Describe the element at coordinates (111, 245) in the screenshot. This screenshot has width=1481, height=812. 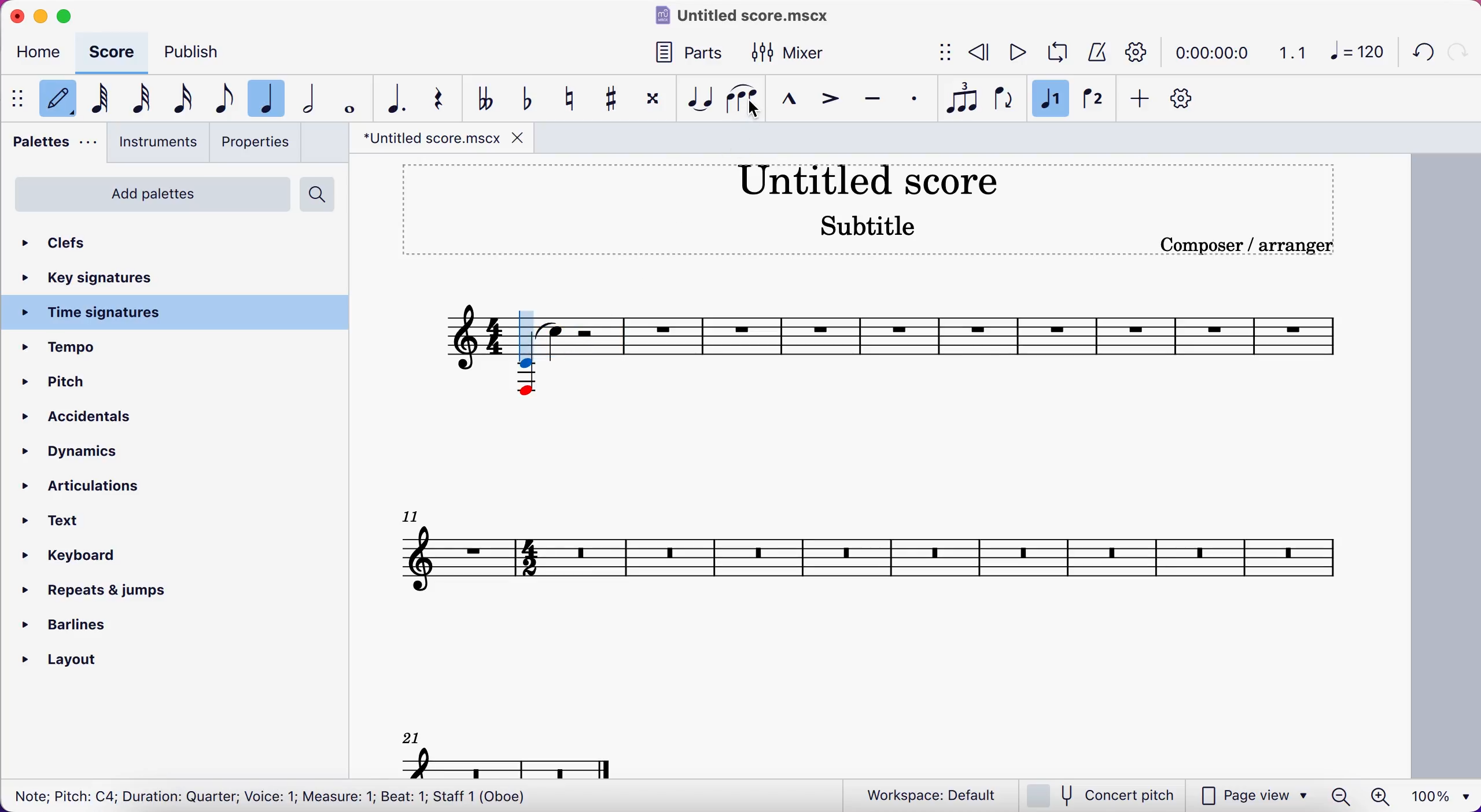
I see `clefs` at that location.